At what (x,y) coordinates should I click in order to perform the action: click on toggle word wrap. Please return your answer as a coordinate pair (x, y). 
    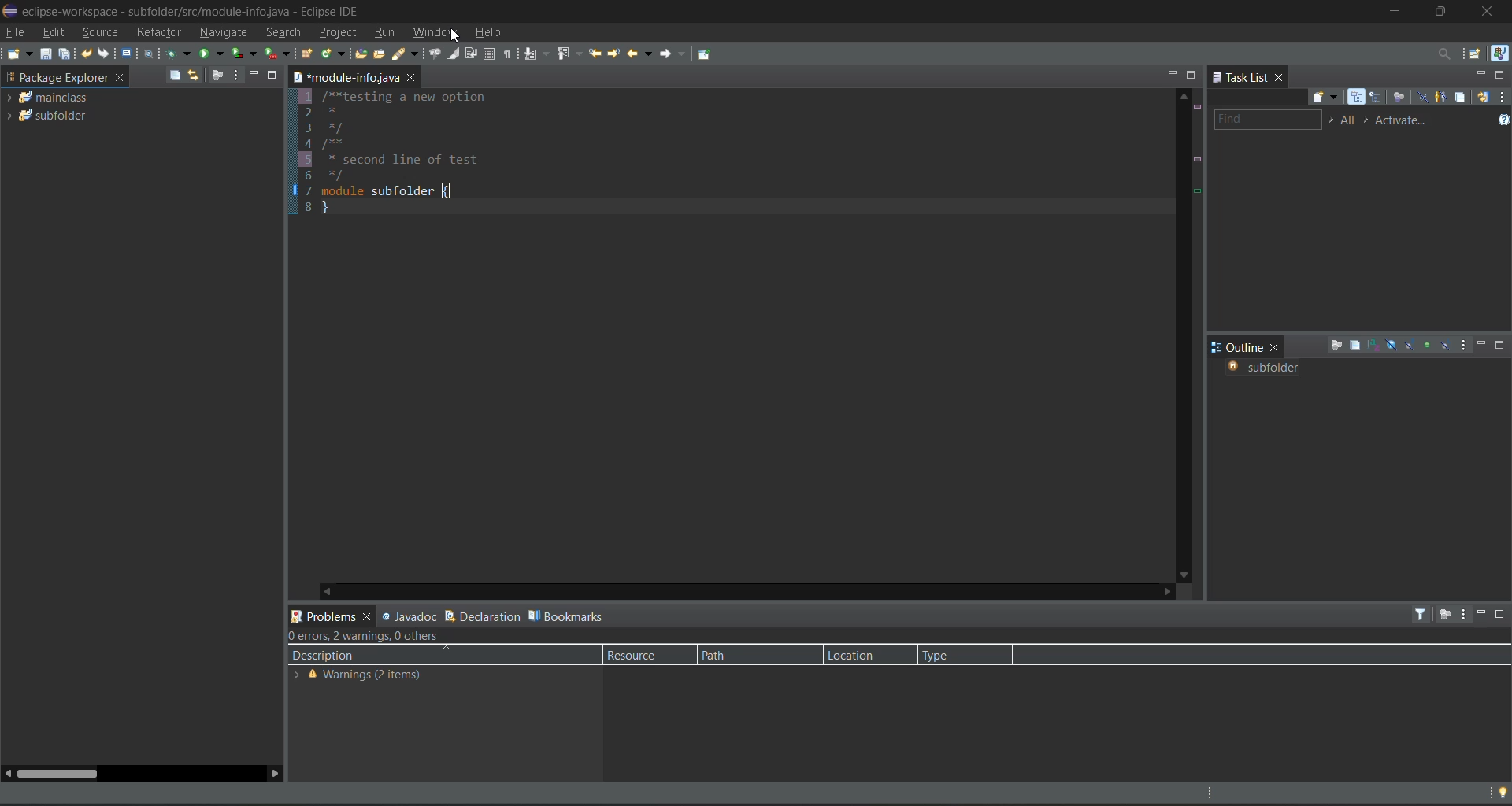
    Looking at the image, I should click on (473, 55).